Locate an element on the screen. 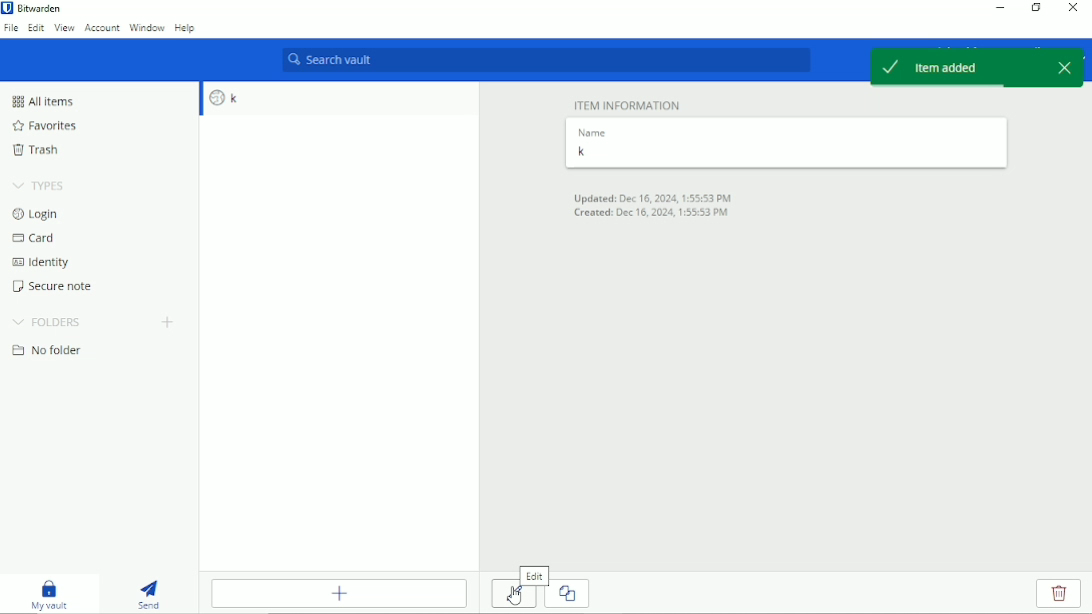 The image size is (1092, 614). My vault is located at coordinates (48, 595).